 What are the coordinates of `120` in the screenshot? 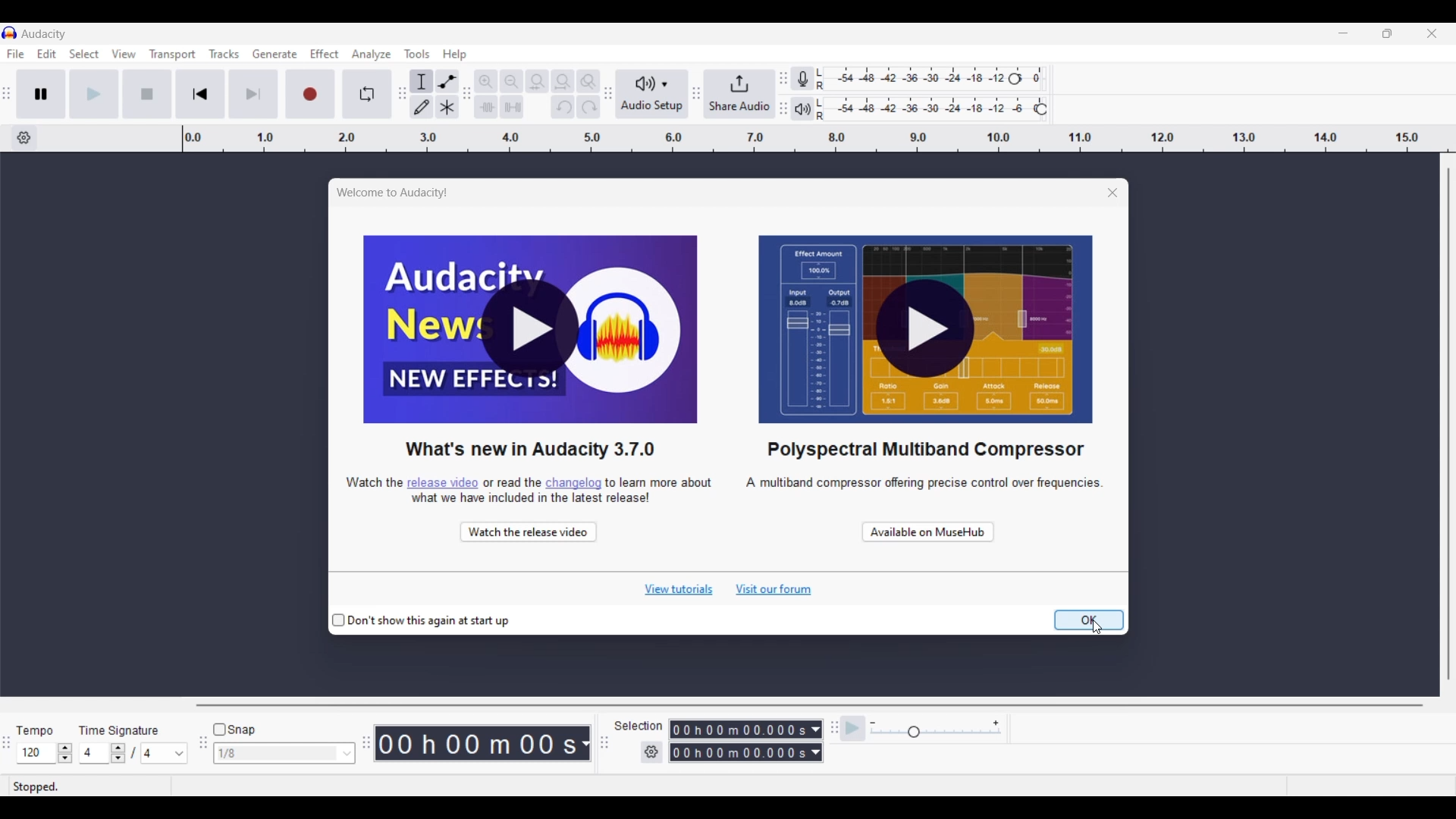 It's located at (36, 754).